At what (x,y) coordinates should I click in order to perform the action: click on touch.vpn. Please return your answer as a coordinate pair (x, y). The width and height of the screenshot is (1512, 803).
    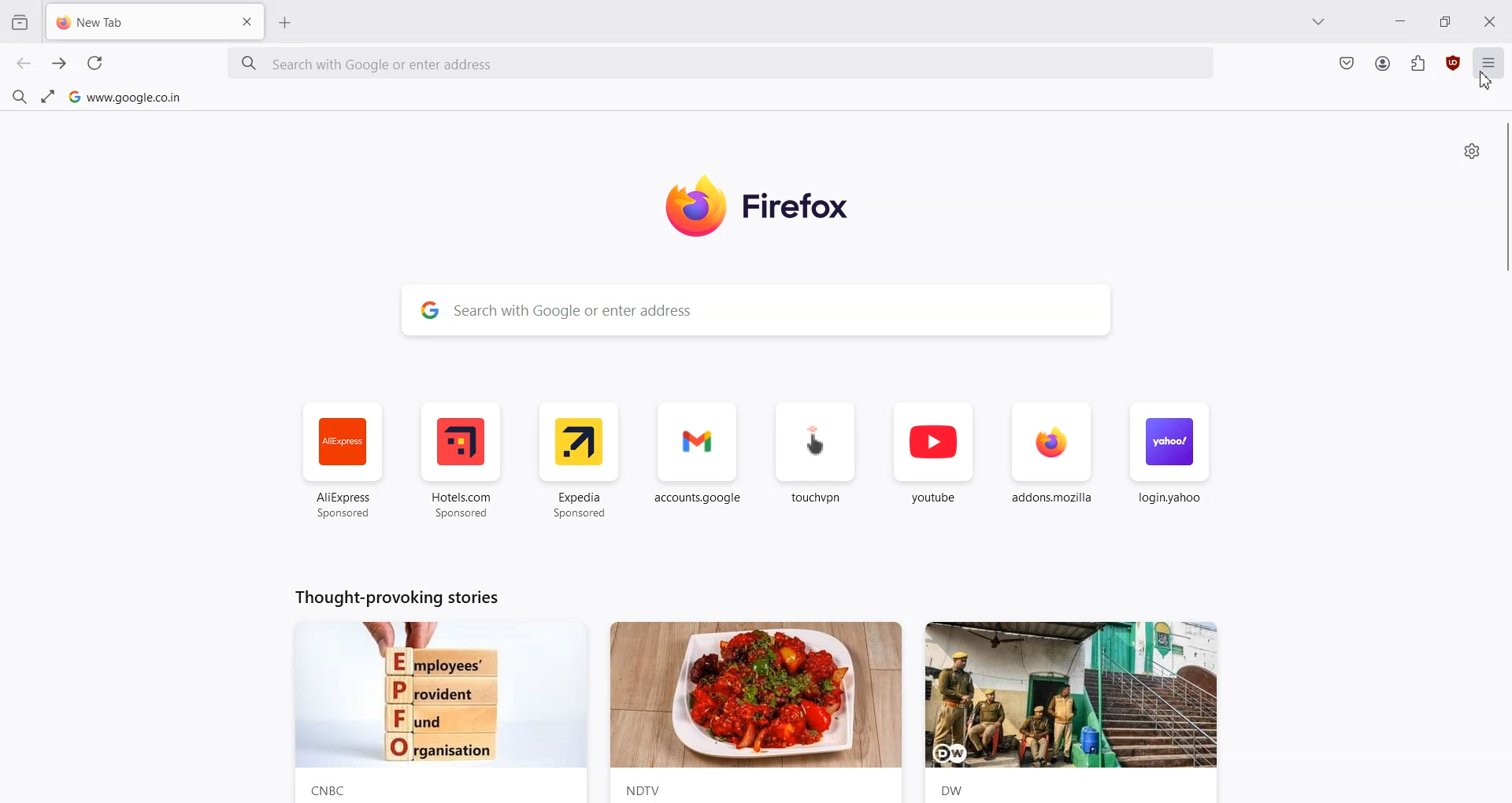
    Looking at the image, I should click on (816, 461).